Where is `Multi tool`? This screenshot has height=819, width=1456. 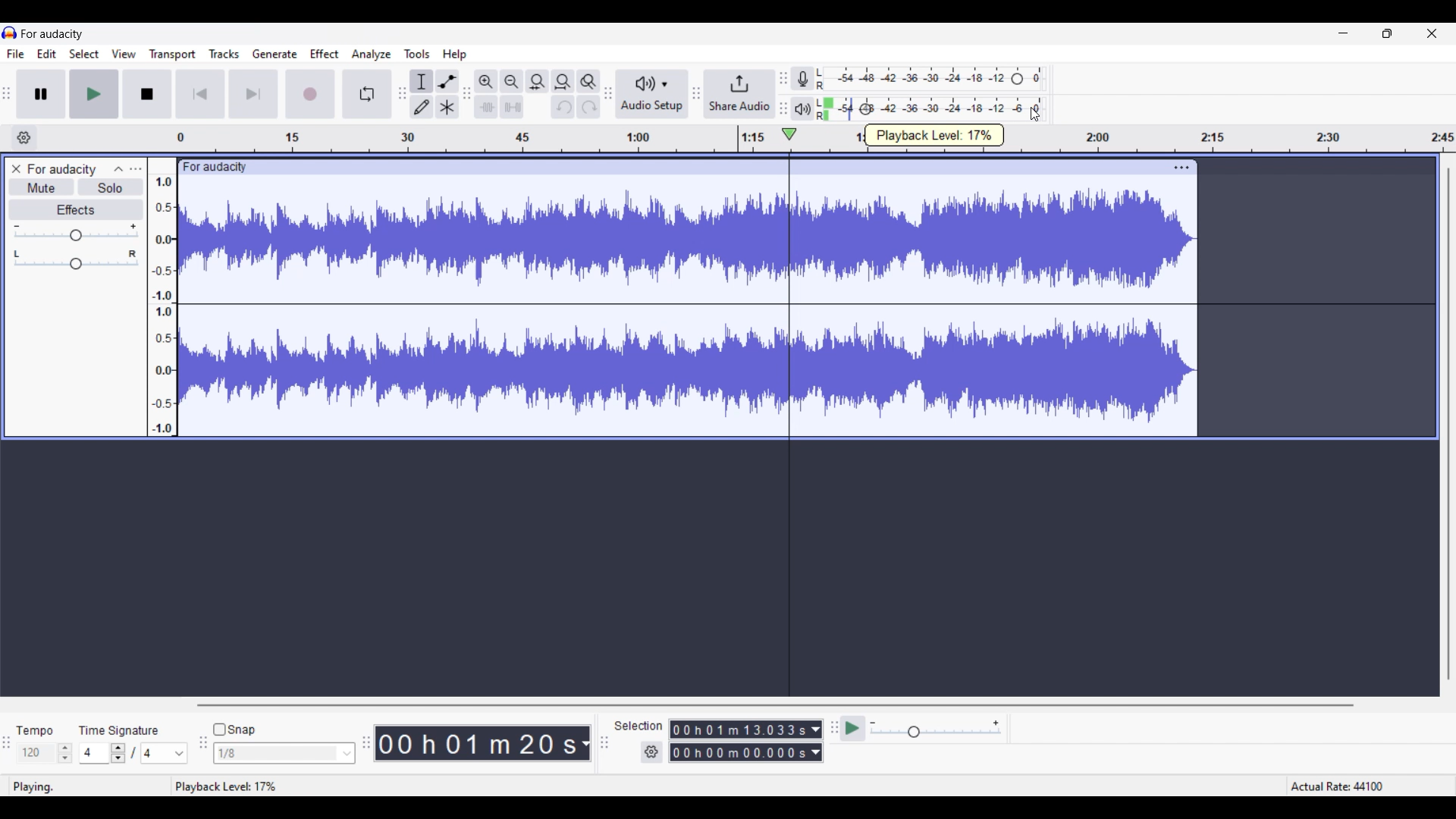
Multi tool is located at coordinates (447, 107).